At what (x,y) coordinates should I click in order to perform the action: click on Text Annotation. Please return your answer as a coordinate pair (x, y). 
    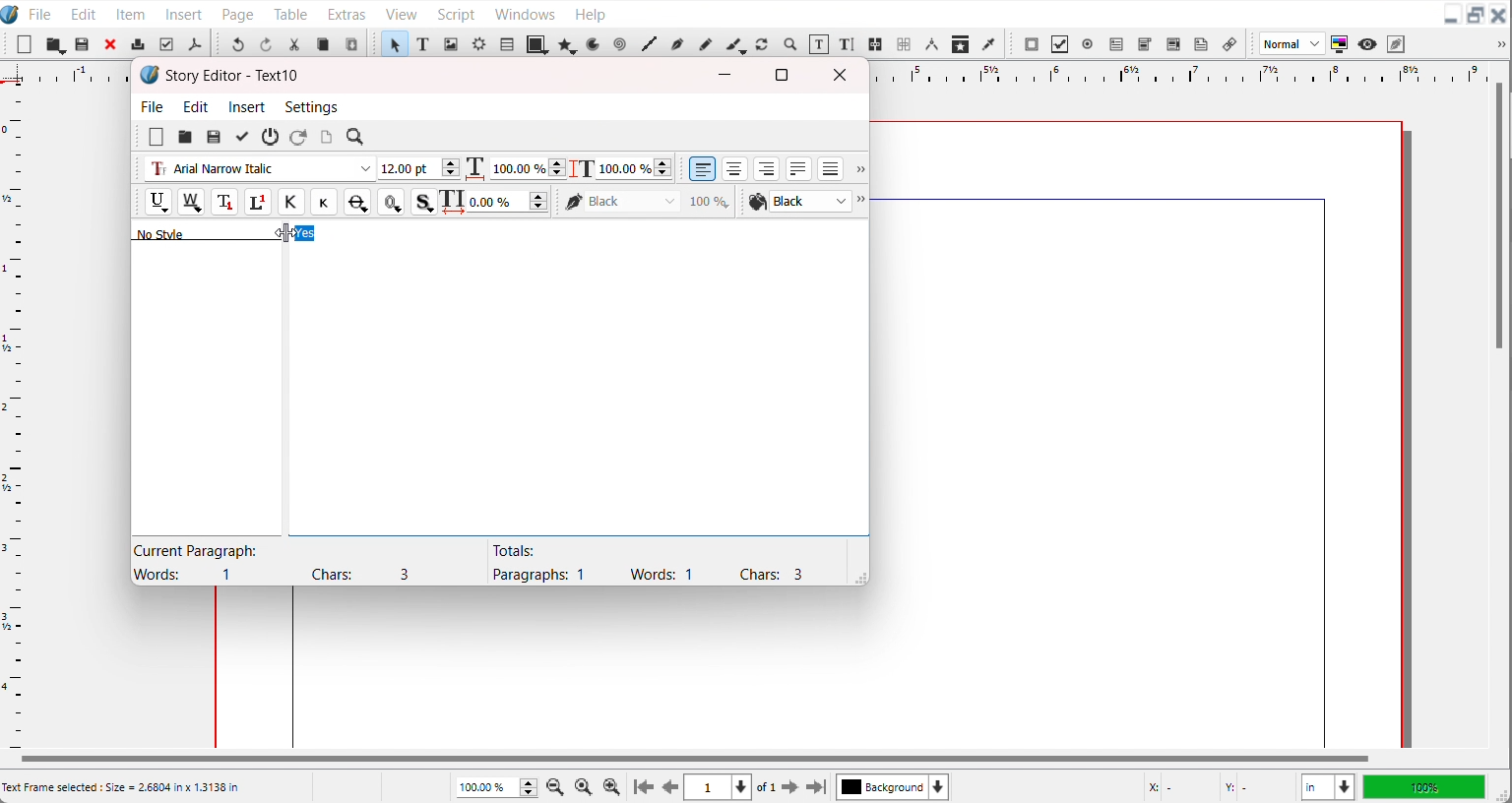
    Looking at the image, I should click on (1201, 44).